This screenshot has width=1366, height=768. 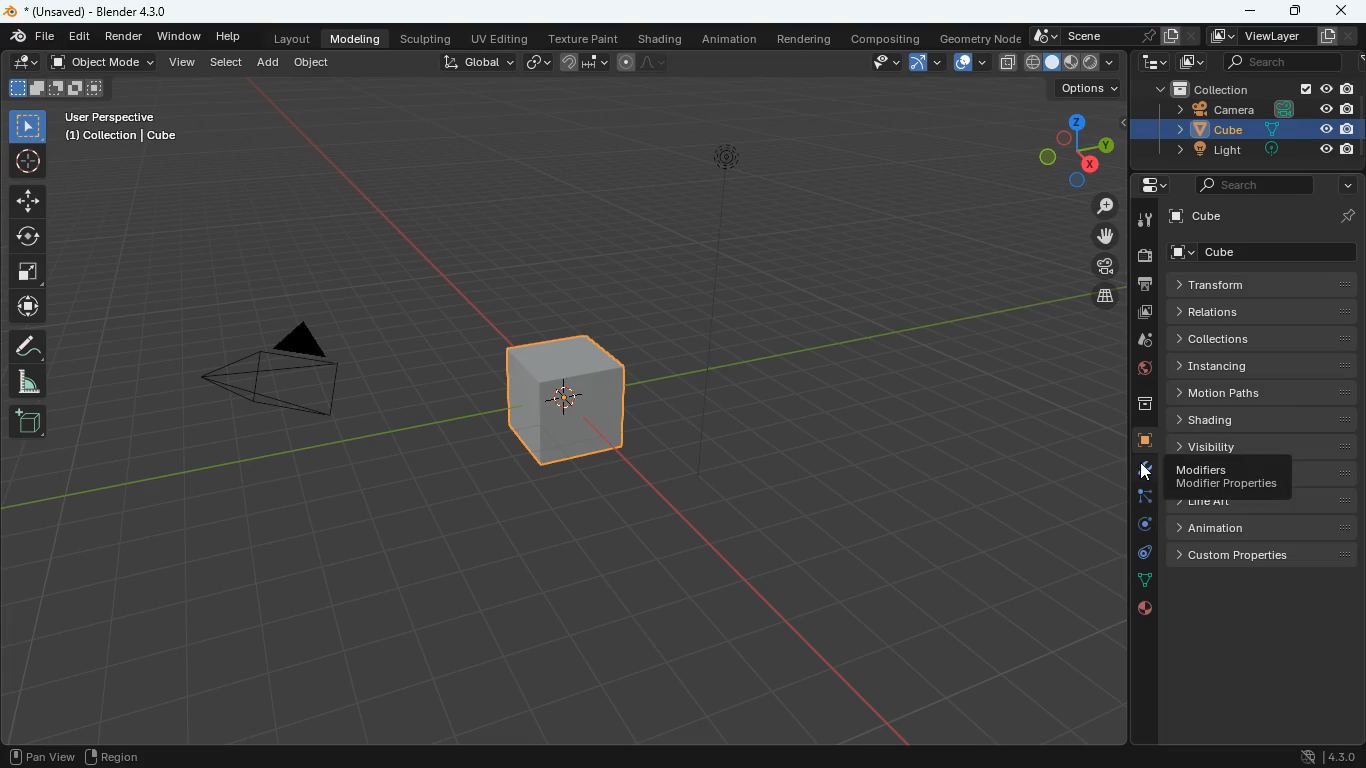 What do you see at coordinates (1142, 581) in the screenshot?
I see `lines` at bounding box center [1142, 581].